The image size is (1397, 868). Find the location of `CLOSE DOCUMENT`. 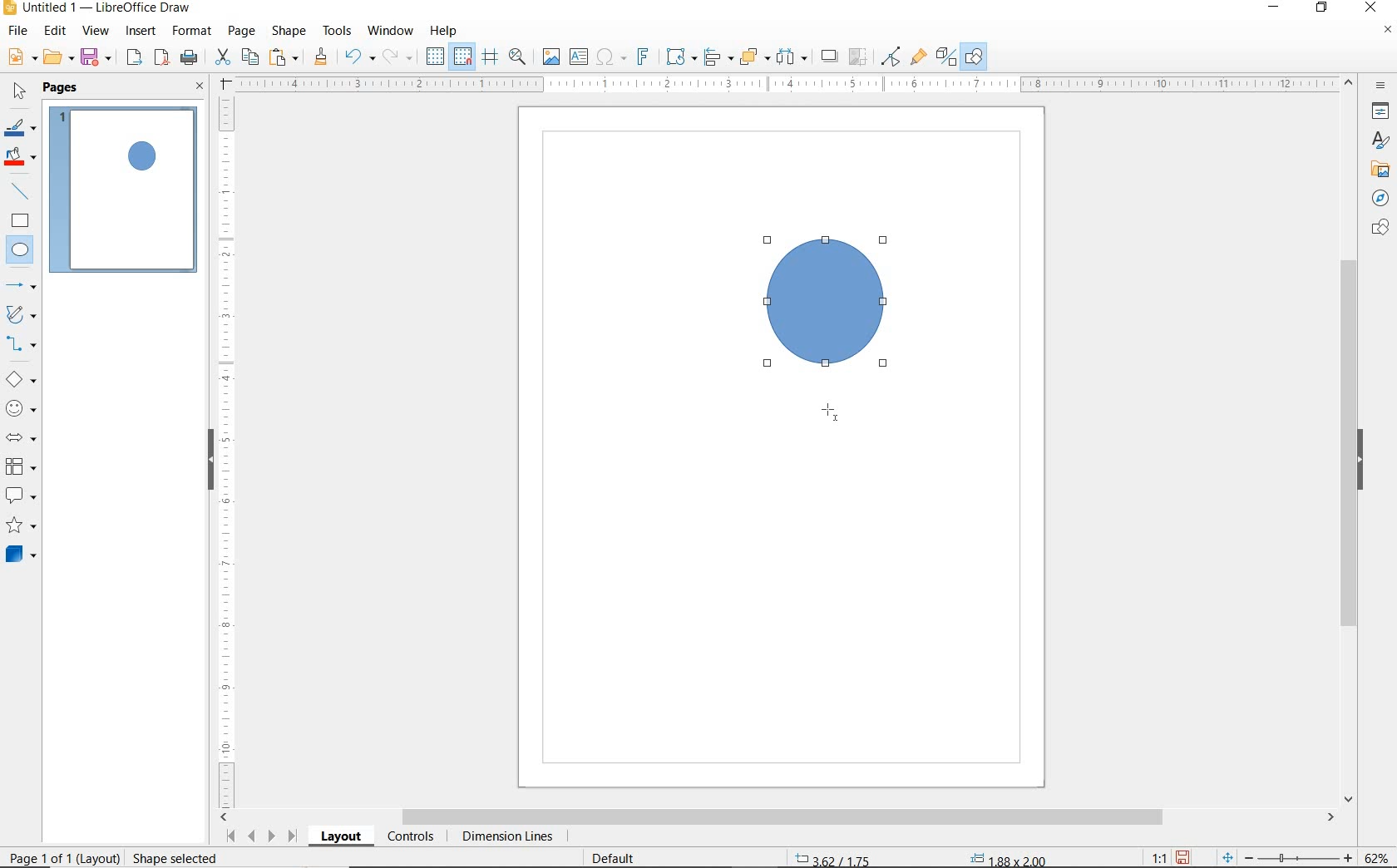

CLOSE DOCUMENT is located at coordinates (1387, 32).